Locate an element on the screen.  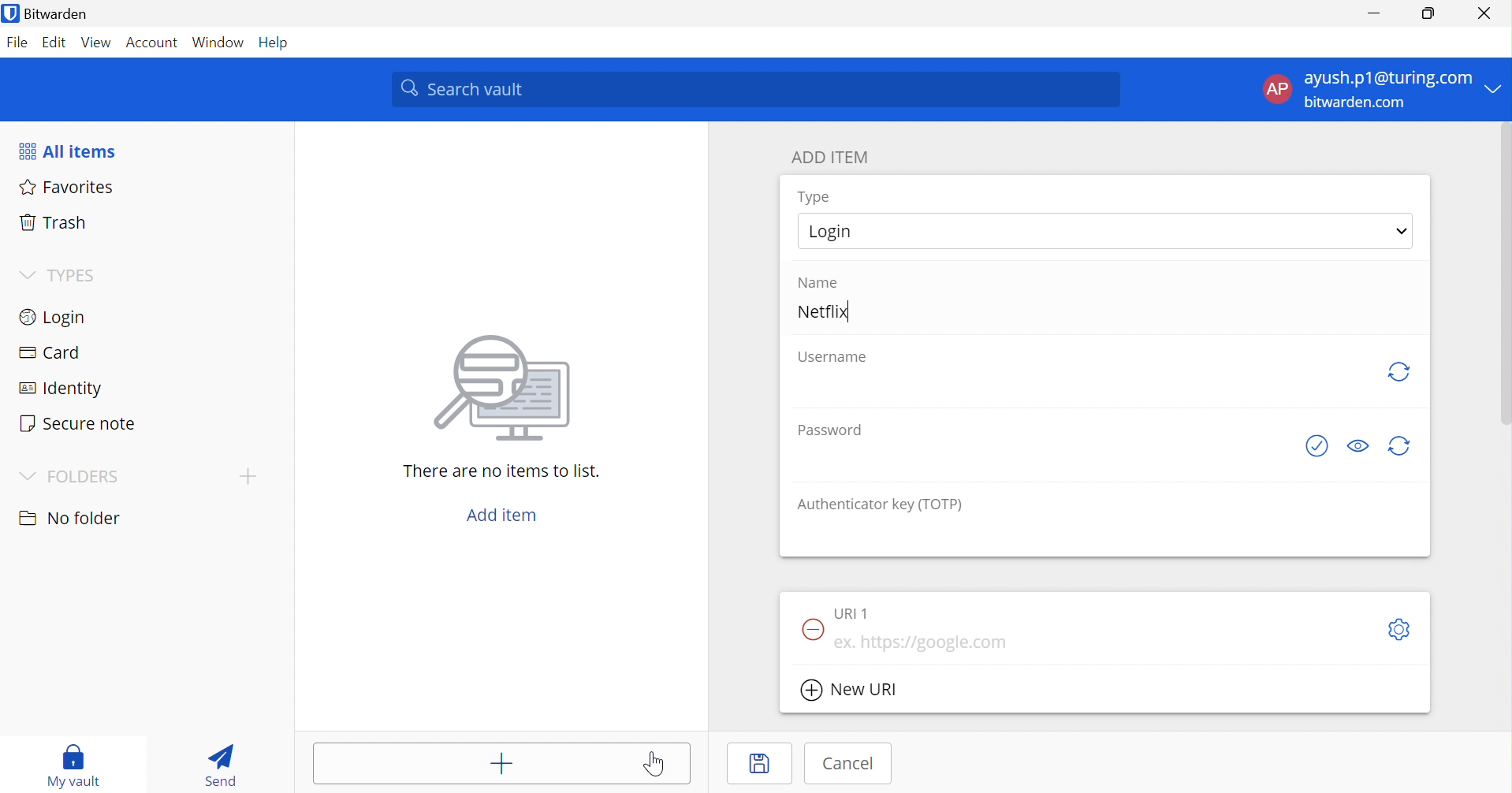
Cursor is located at coordinates (654, 764).